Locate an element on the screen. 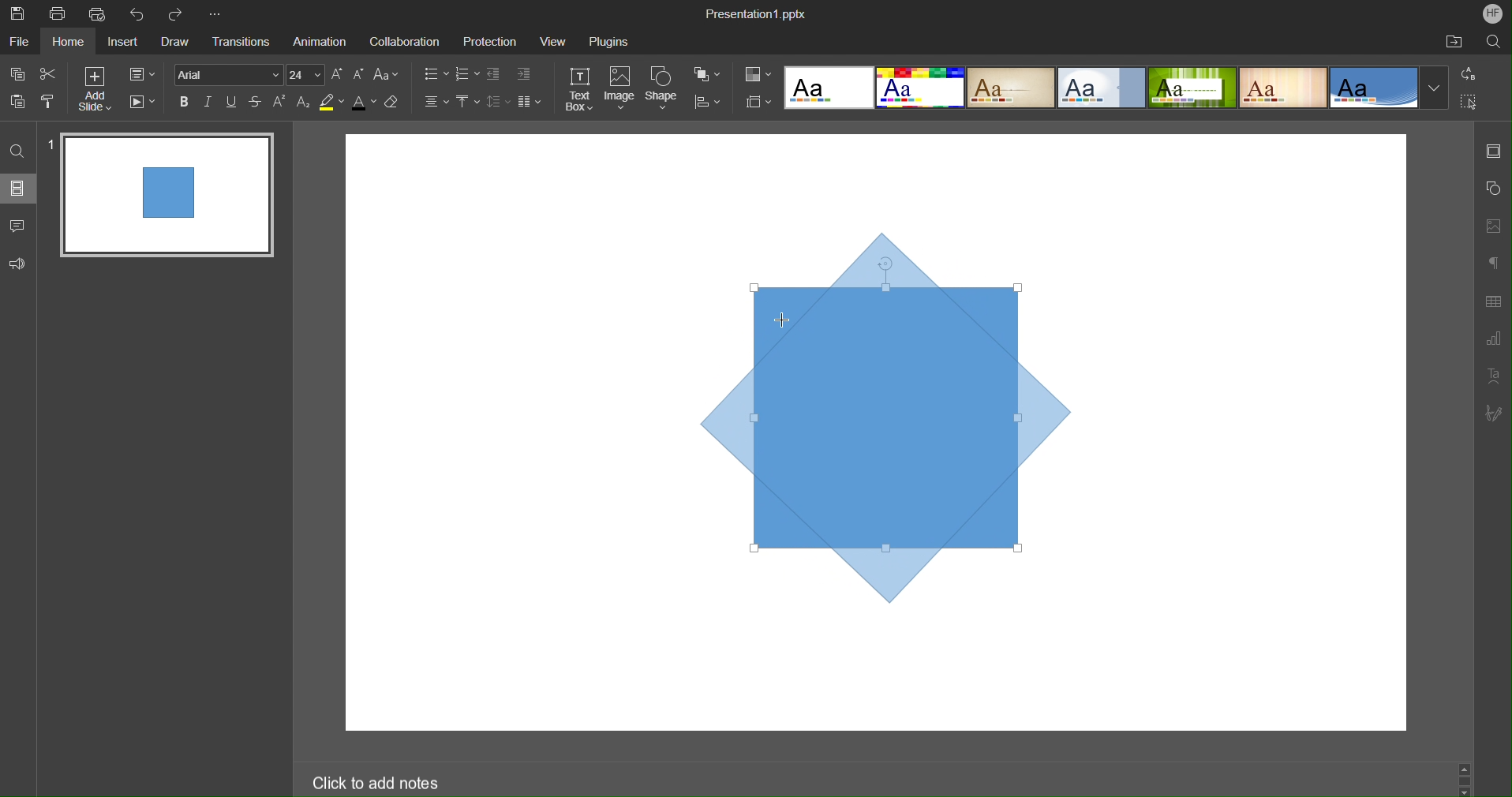 This screenshot has height=797, width=1512. Account is located at coordinates (1491, 15).